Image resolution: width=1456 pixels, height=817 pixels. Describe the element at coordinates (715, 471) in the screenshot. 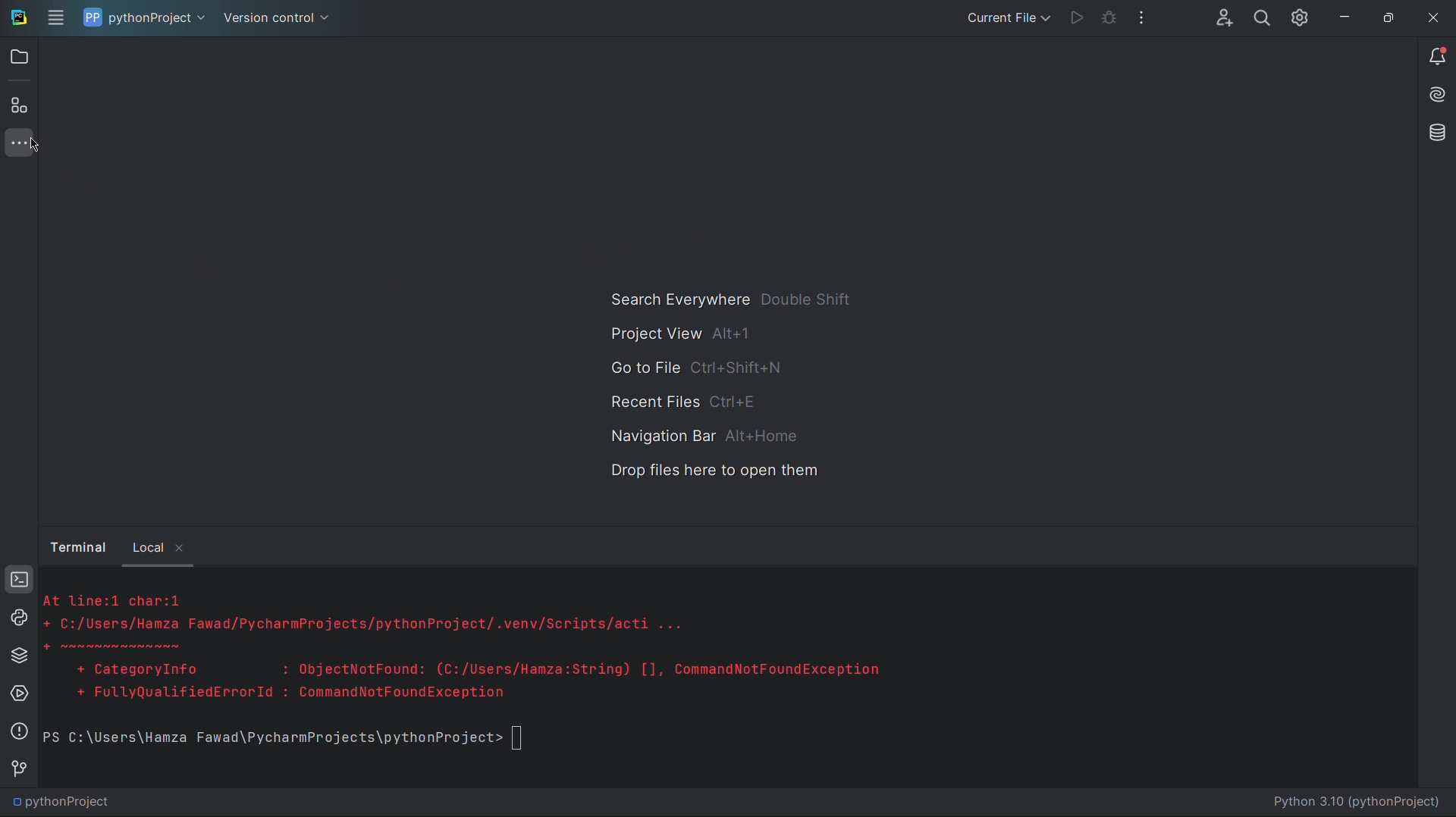

I see `Drop files here to open them` at that location.